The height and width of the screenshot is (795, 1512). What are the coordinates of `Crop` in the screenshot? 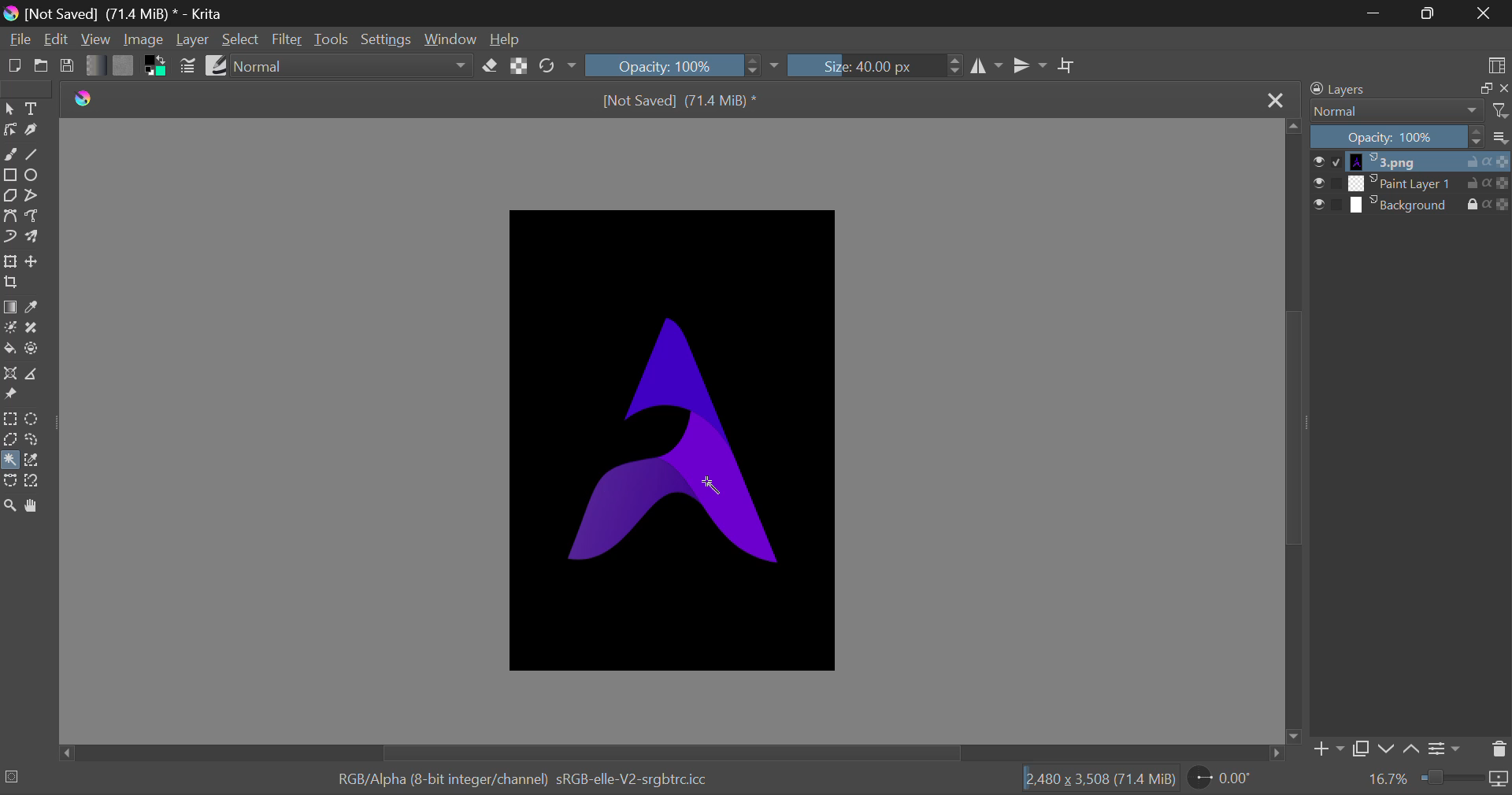 It's located at (1069, 67).